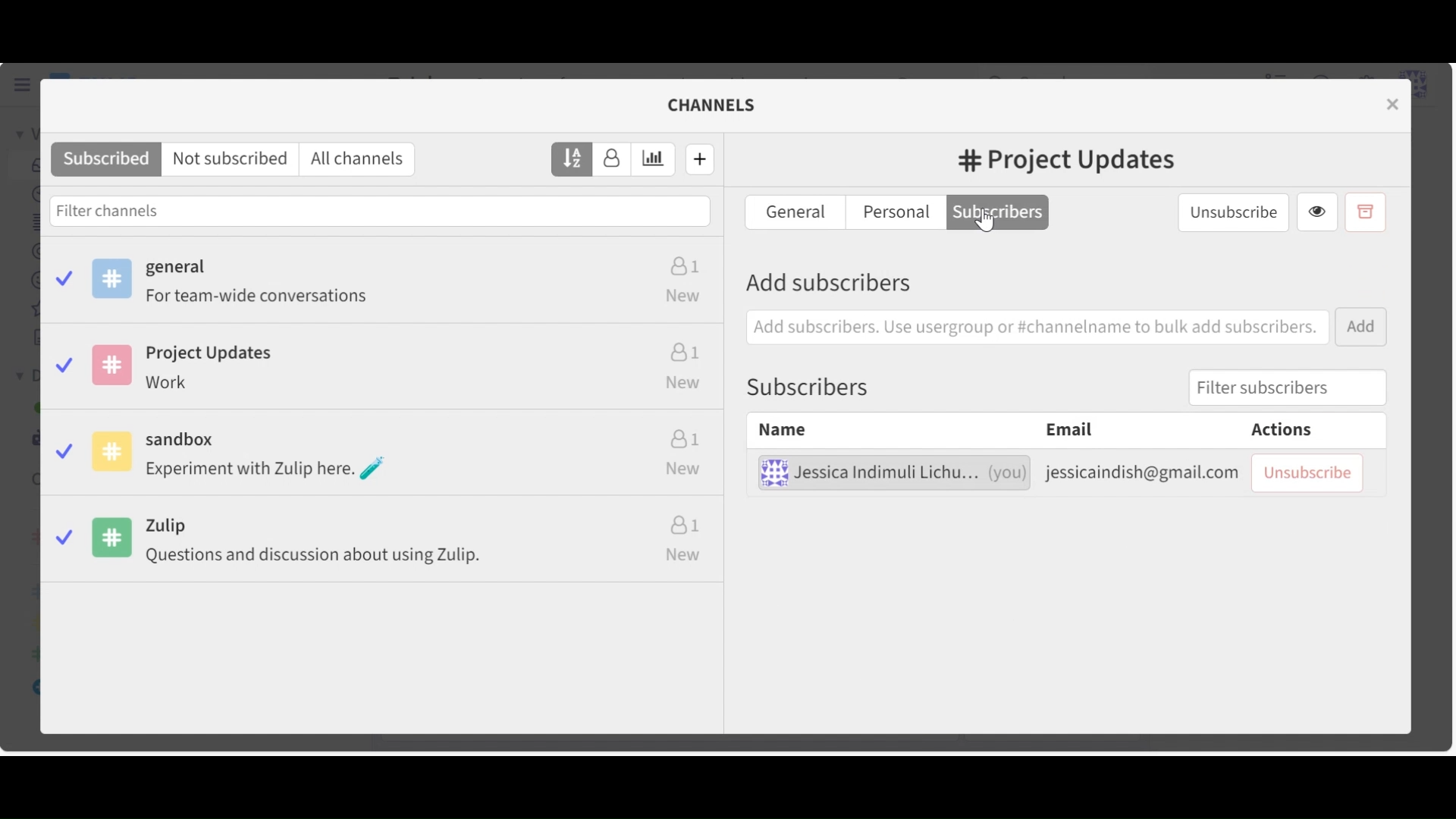 The width and height of the screenshot is (1456, 819). I want to click on Close, so click(1391, 106).